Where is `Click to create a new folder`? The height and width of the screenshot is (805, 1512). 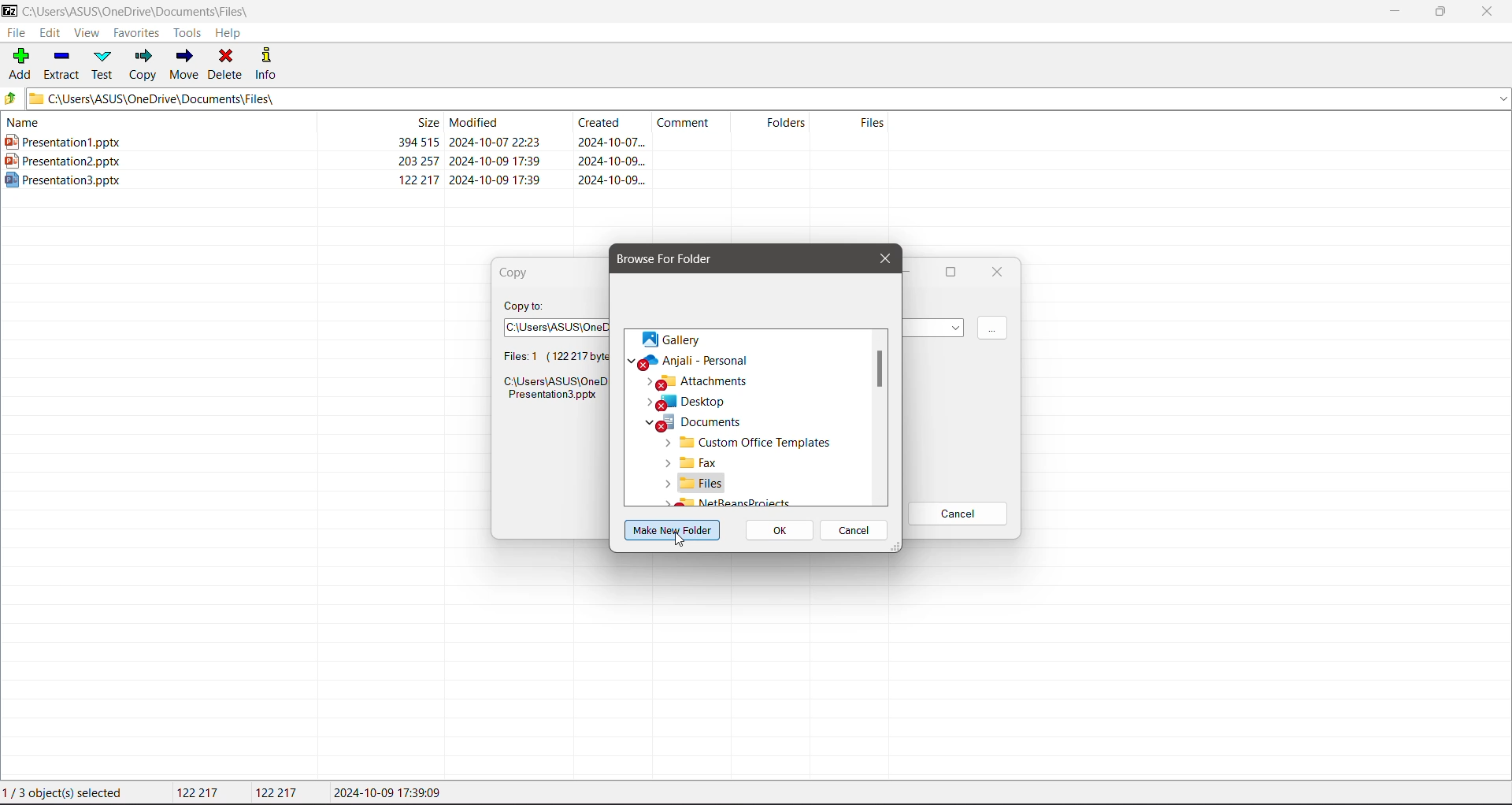 Click to create a new folder is located at coordinates (674, 530).